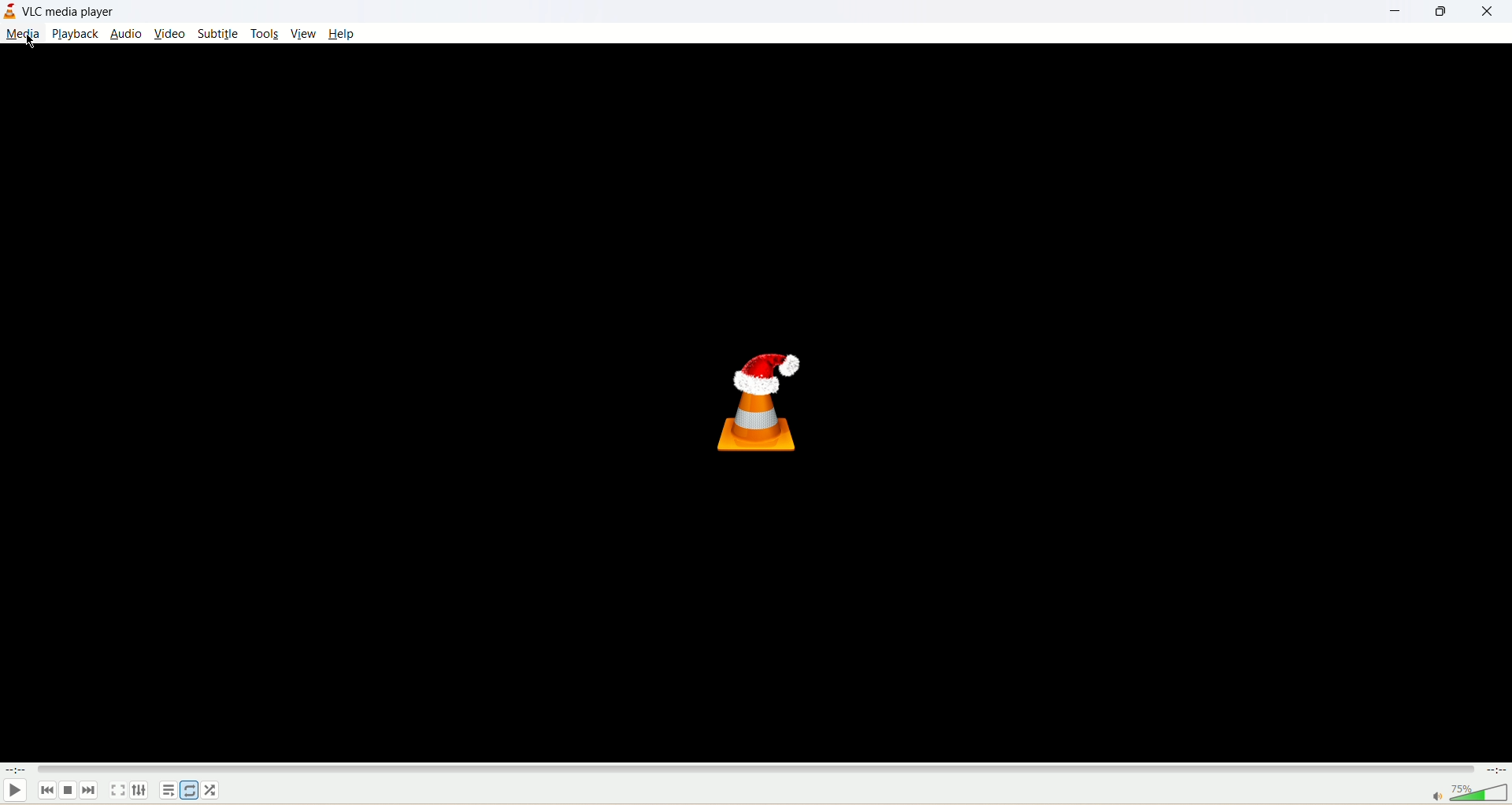 The height and width of the screenshot is (805, 1512). Describe the element at coordinates (141, 790) in the screenshot. I see `audio/subtitle track option` at that location.